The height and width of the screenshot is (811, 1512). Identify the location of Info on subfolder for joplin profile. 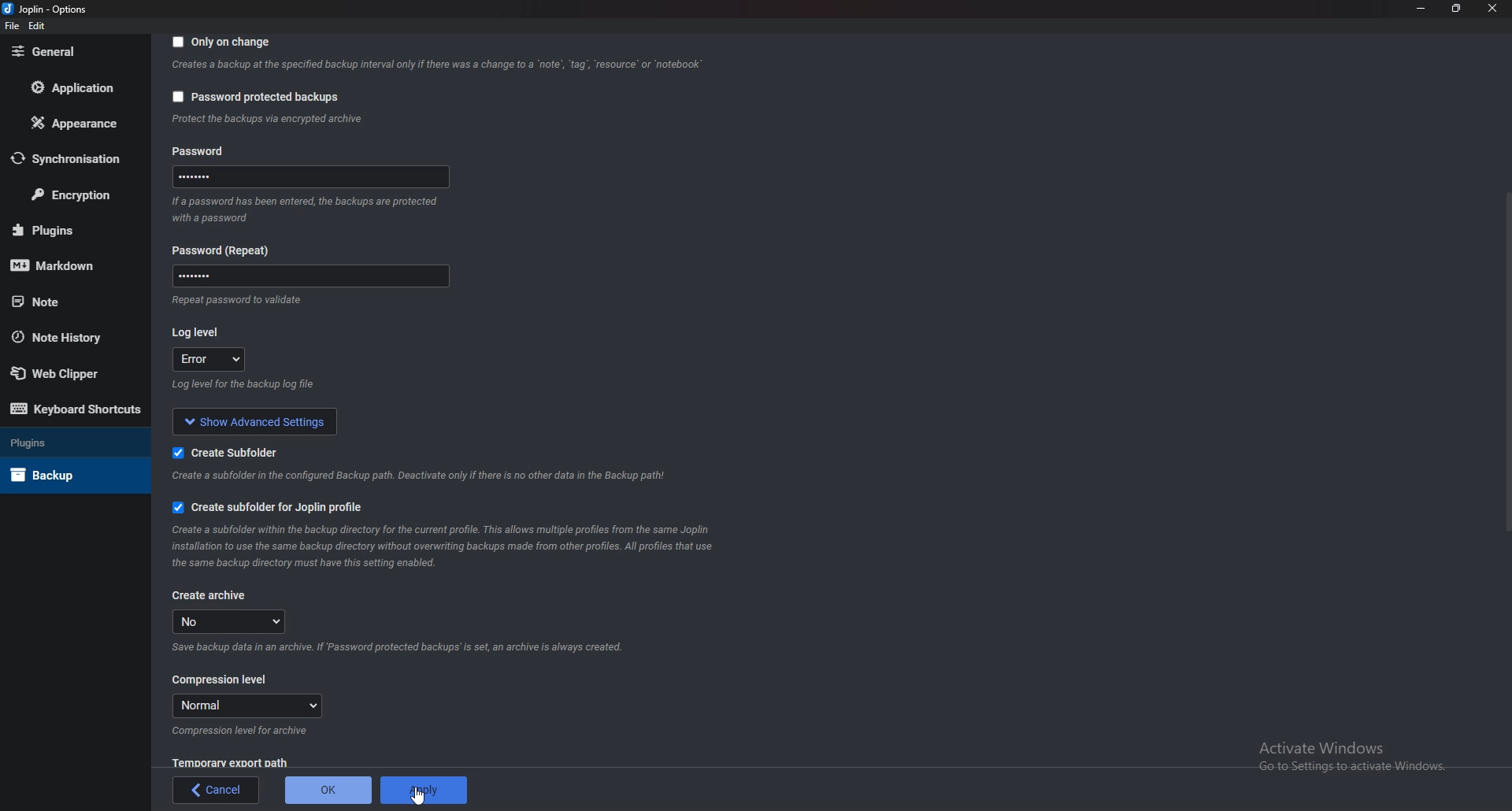
(457, 546).